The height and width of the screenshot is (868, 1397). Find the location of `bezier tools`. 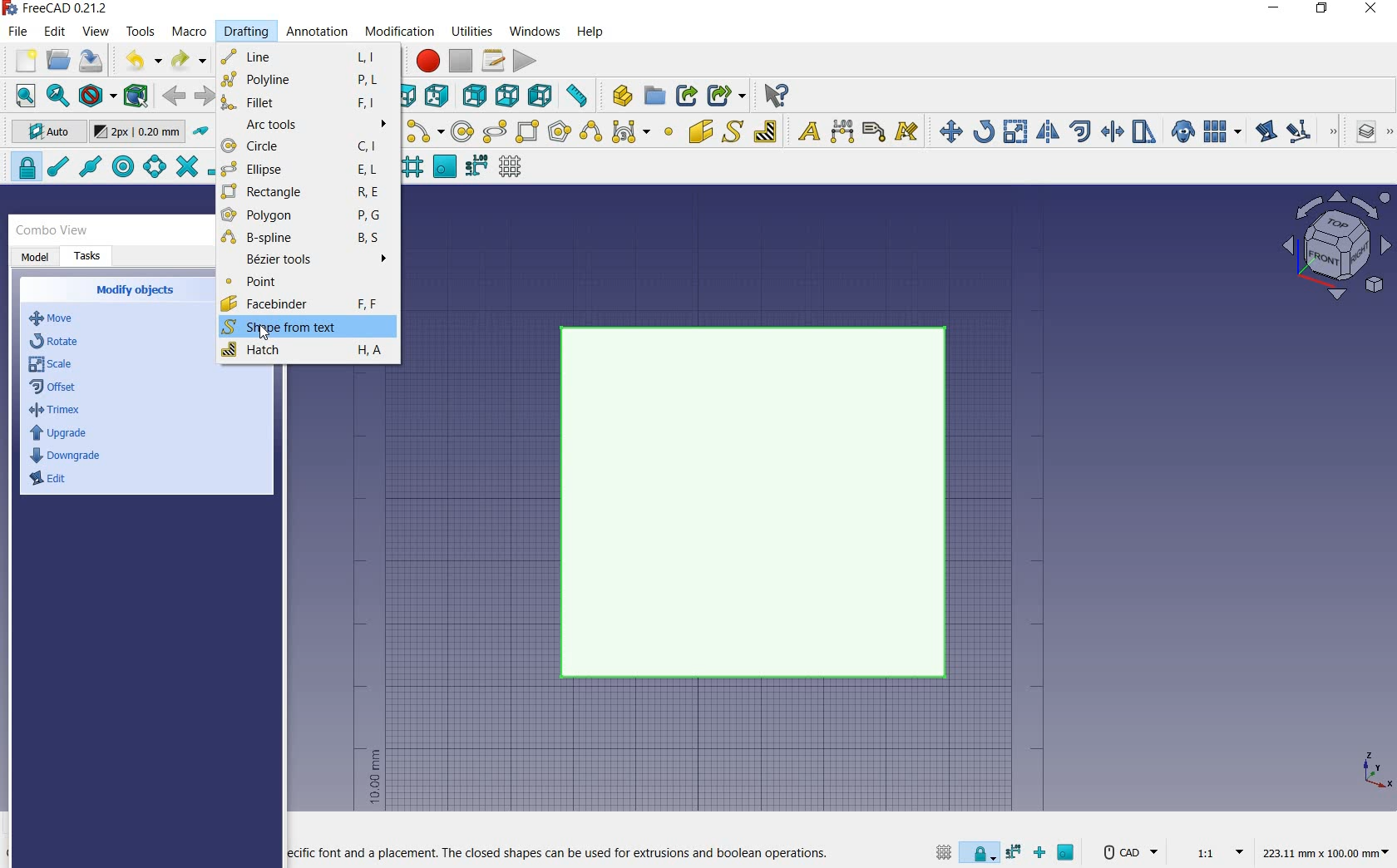

bezier tools is located at coordinates (306, 262).